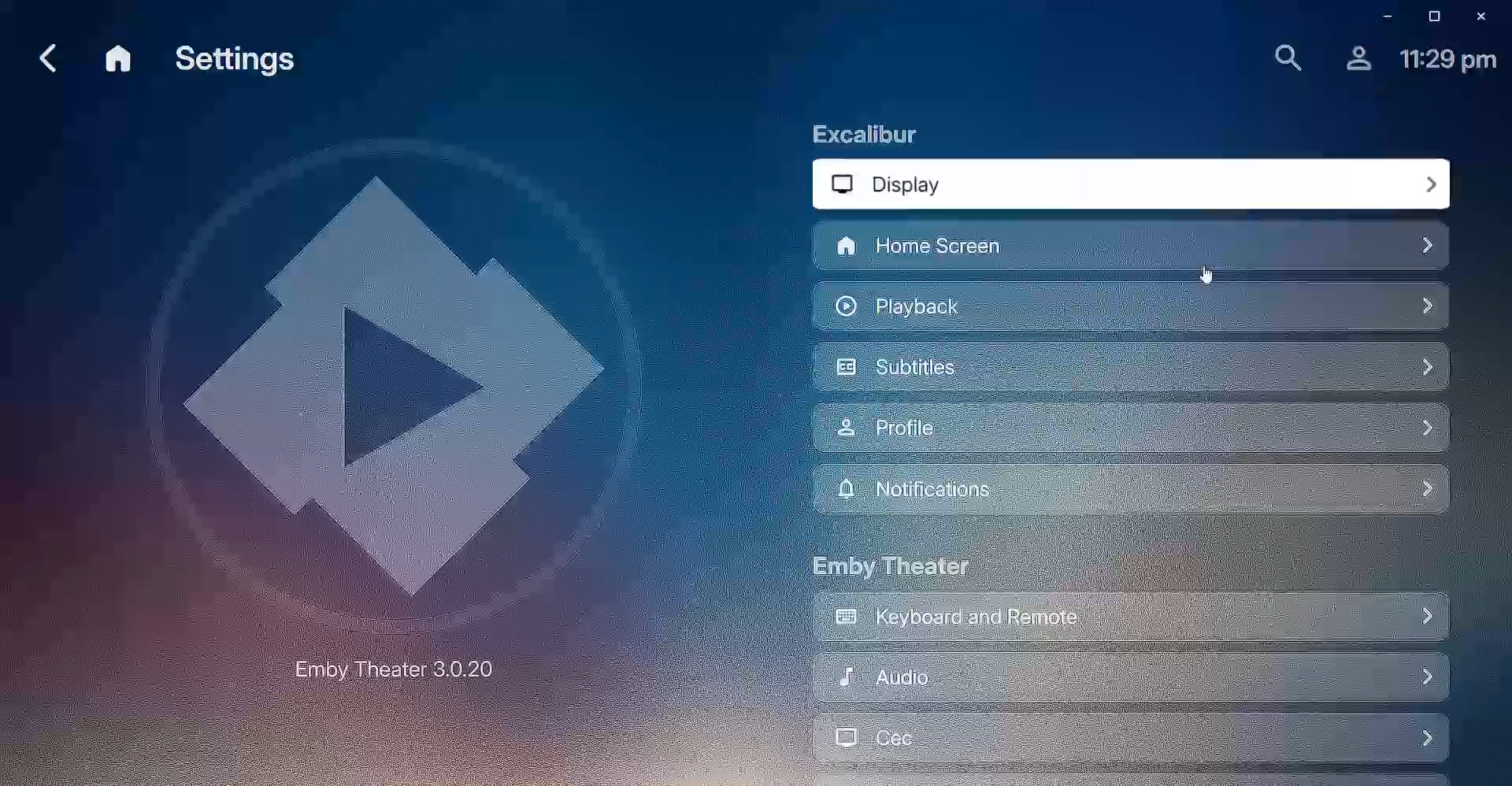  Describe the element at coordinates (866, 137) in the screenshot. I see `Excalibur` at that location.